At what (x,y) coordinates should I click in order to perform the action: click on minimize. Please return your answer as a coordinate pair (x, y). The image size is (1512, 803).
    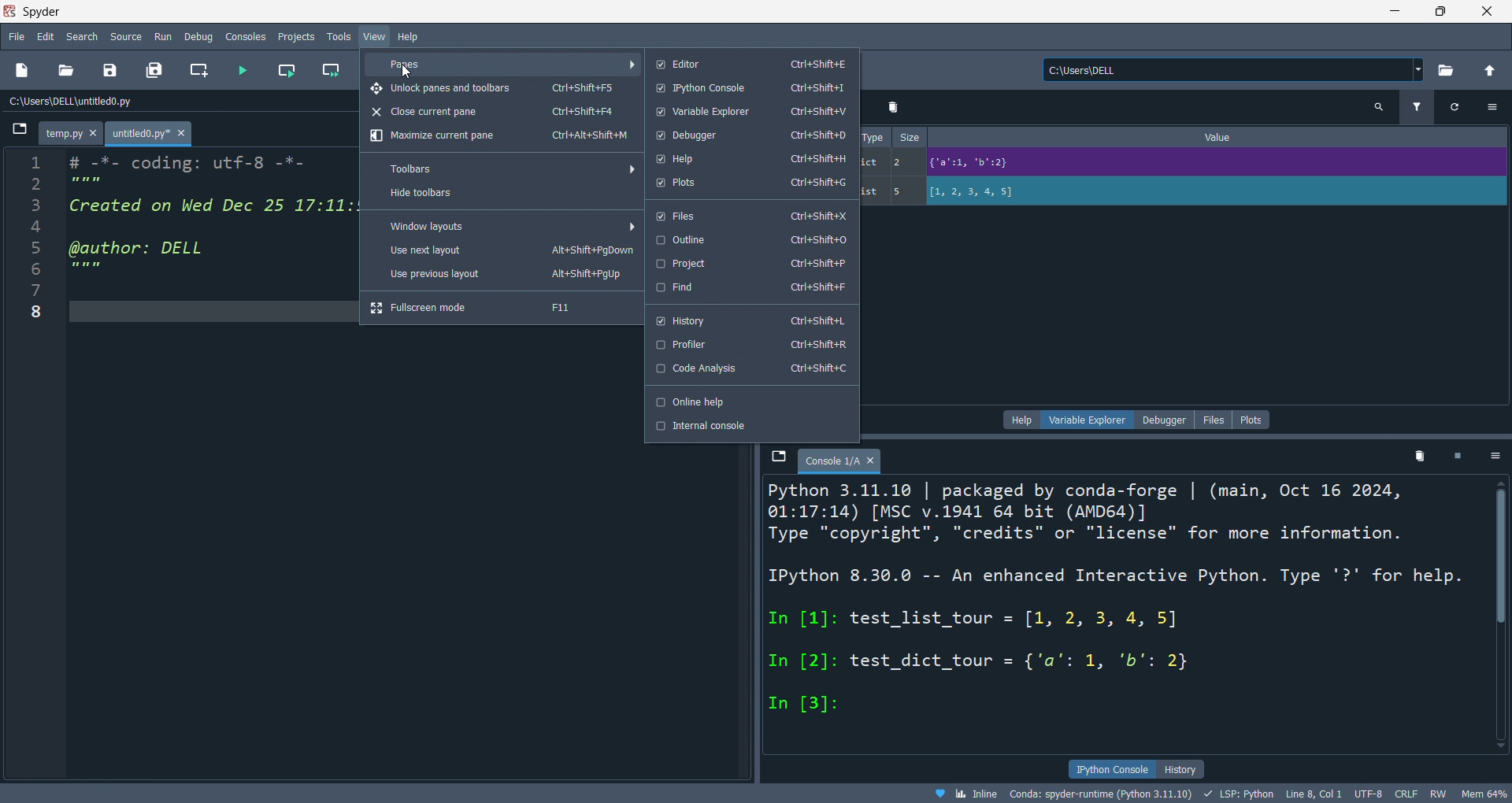
    Looking at the image, I should click on (1392, 10).